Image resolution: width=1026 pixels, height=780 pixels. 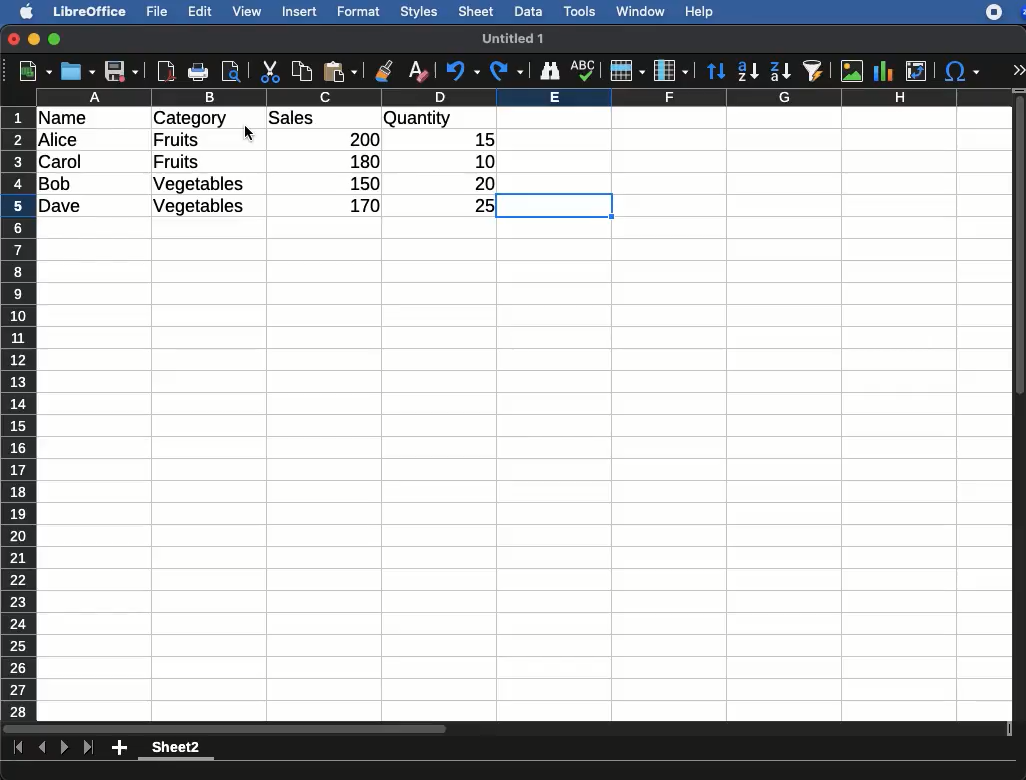 What do you see at coordinates (357, 162) in the screenshot?
I see `180` at bounding box center [357, 162].